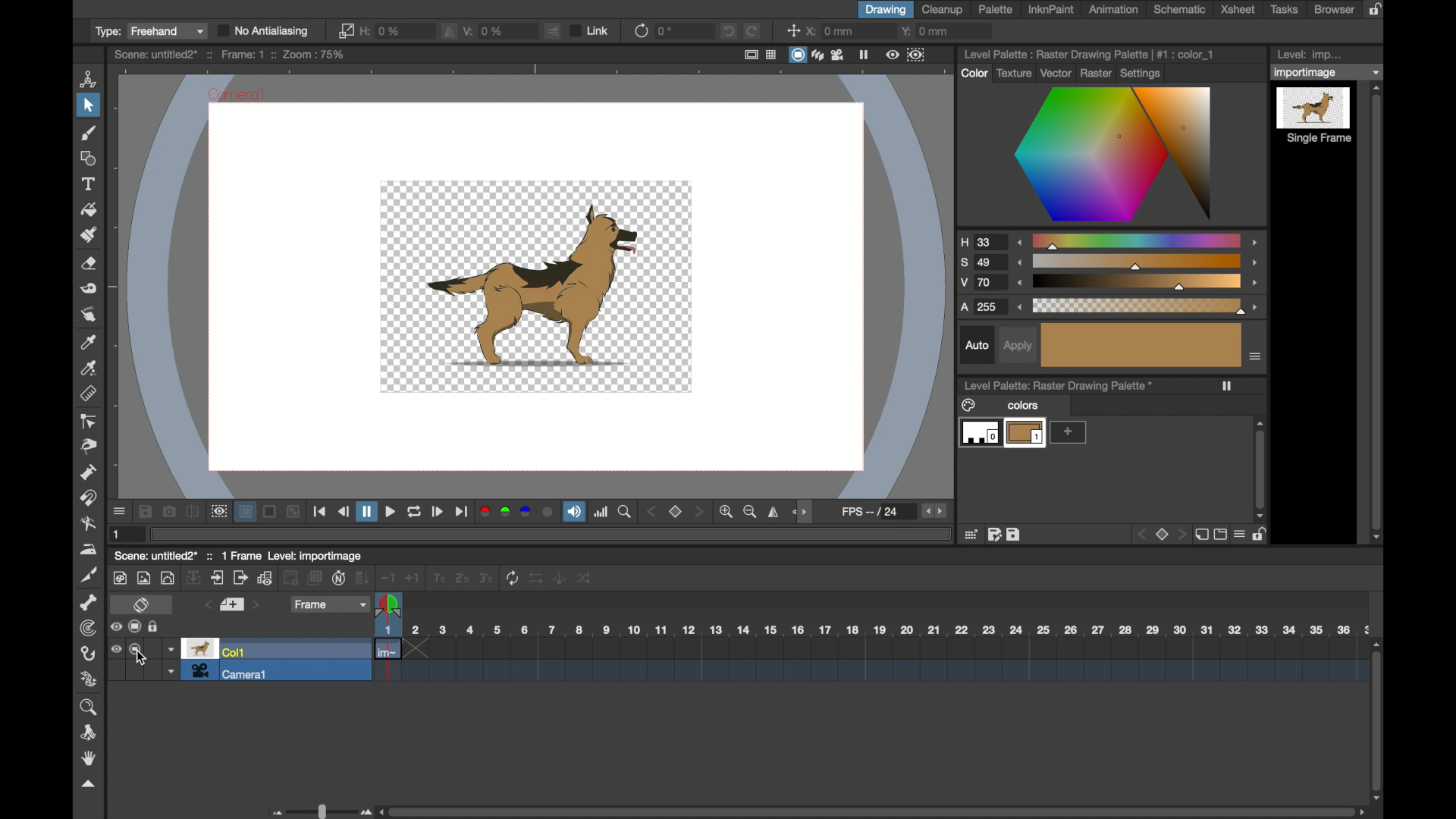 The width and height of the screenshot is (1456, 819). I want to click on cutter tool, so click(90, 574).